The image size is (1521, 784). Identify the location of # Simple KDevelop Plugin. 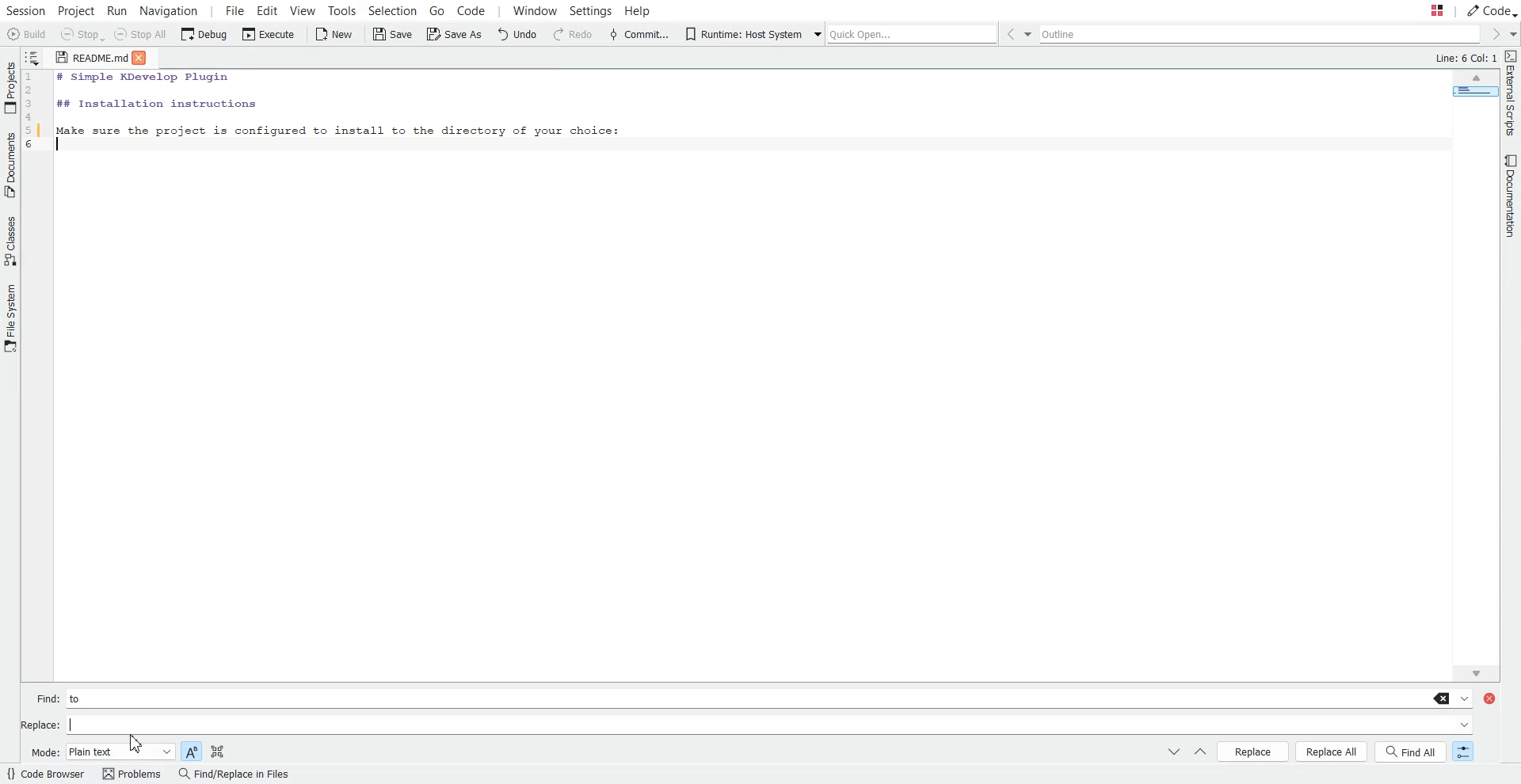
(144, 78).